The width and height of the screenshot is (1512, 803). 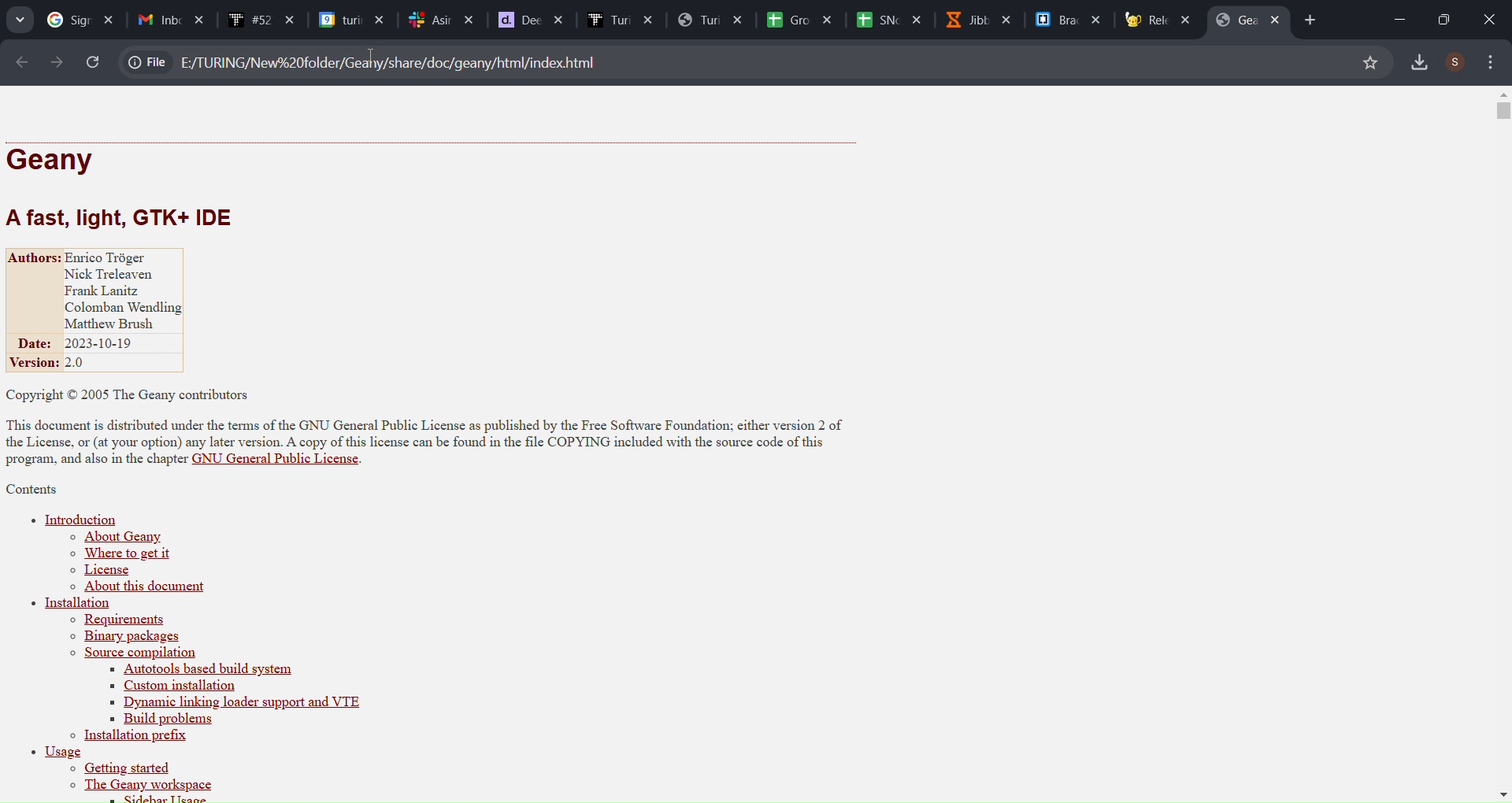 I want to click on minimize, so click(x=1392, y=16).